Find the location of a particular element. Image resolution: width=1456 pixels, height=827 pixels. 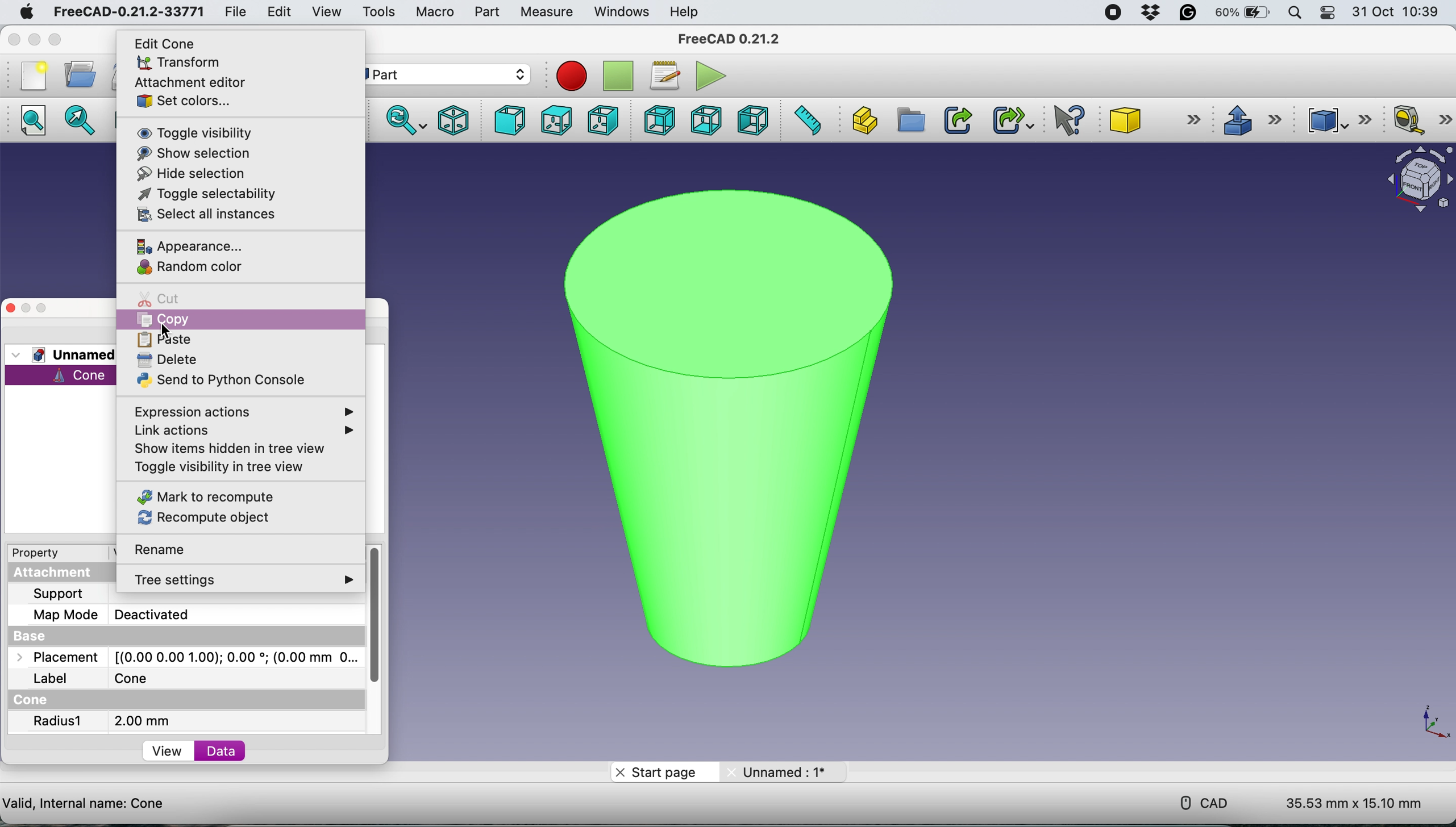

data is located at coordinates (224, 751).